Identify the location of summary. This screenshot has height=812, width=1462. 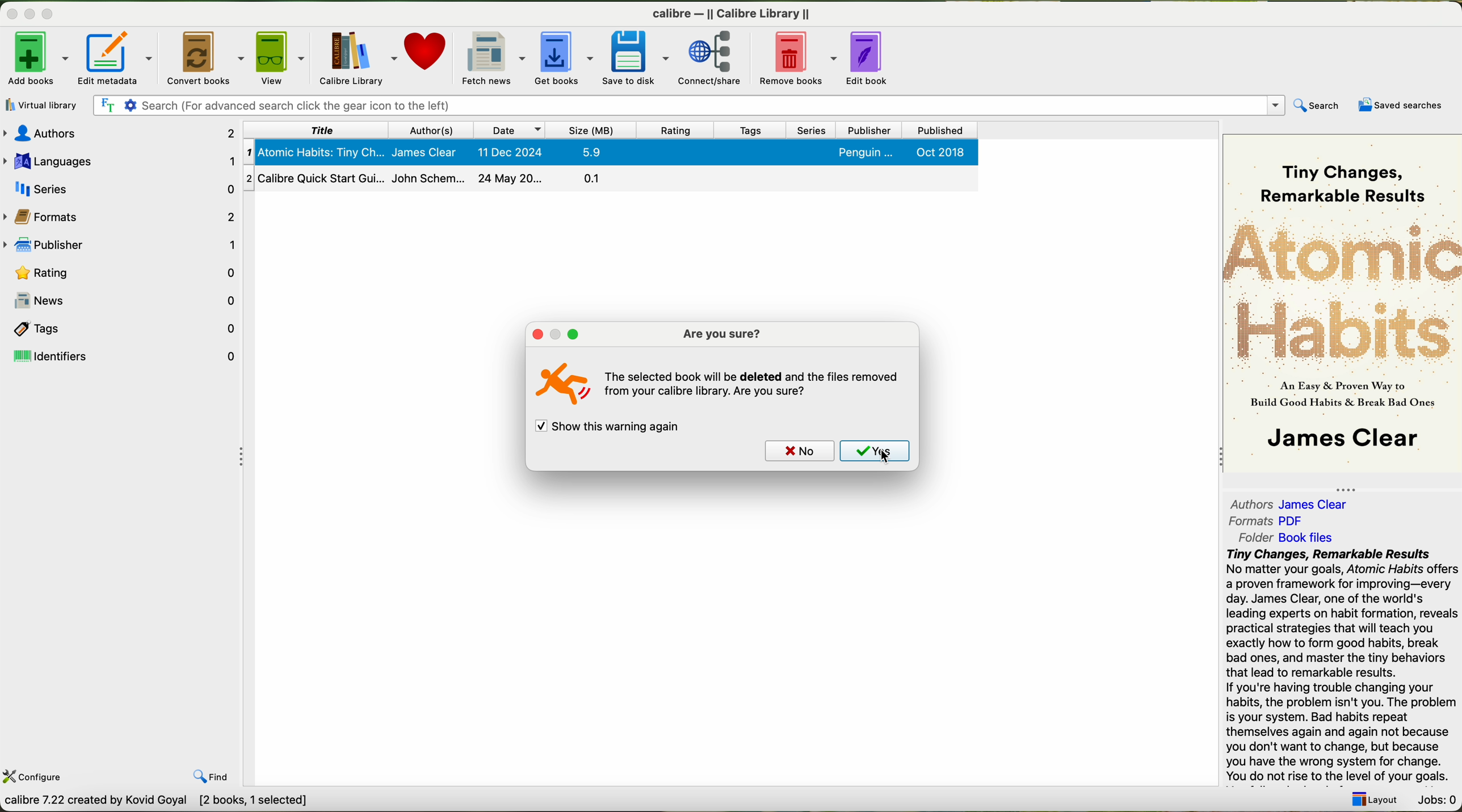
(1342, 667).